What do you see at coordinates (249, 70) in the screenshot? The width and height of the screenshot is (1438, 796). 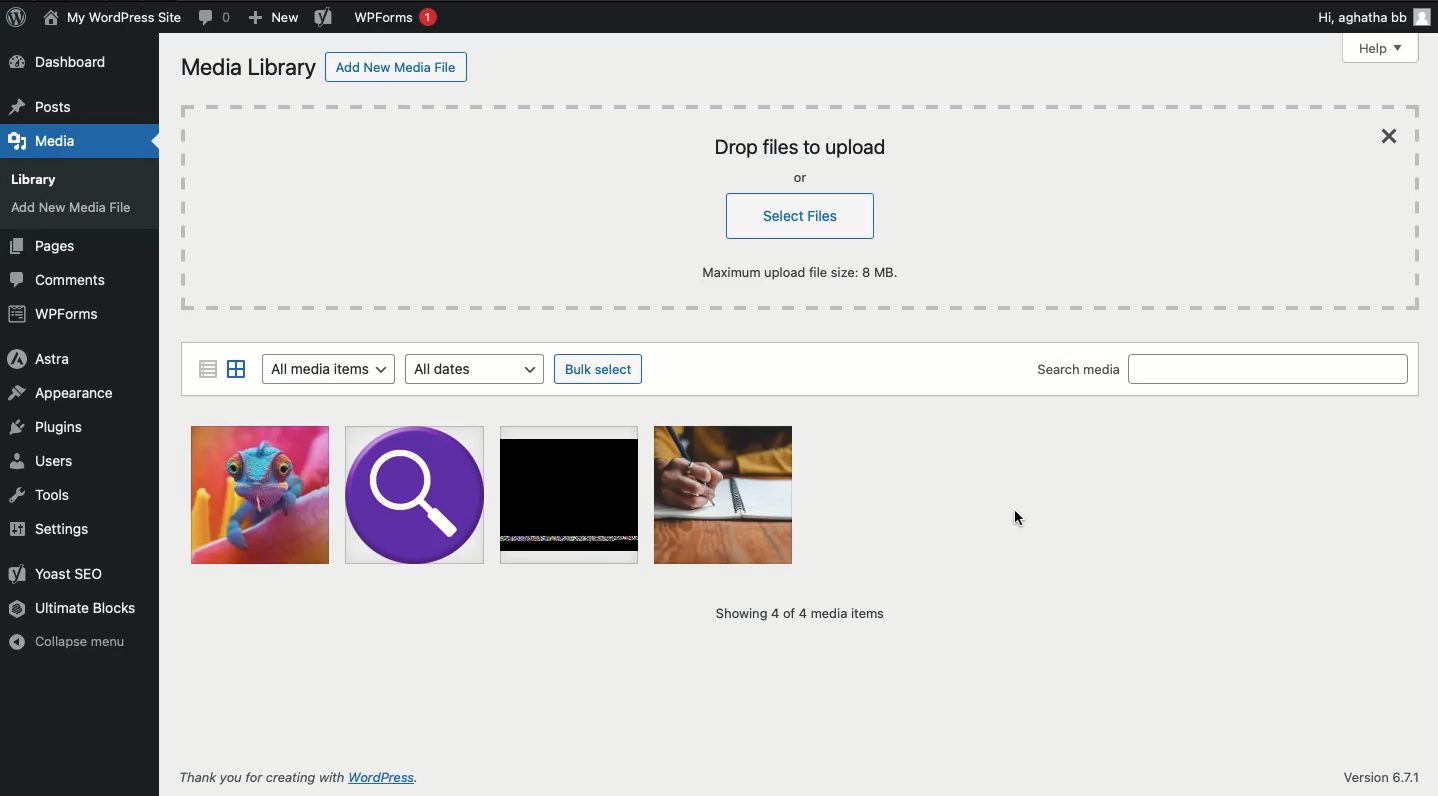 I see `Media library` at bounding box center [249, 70].